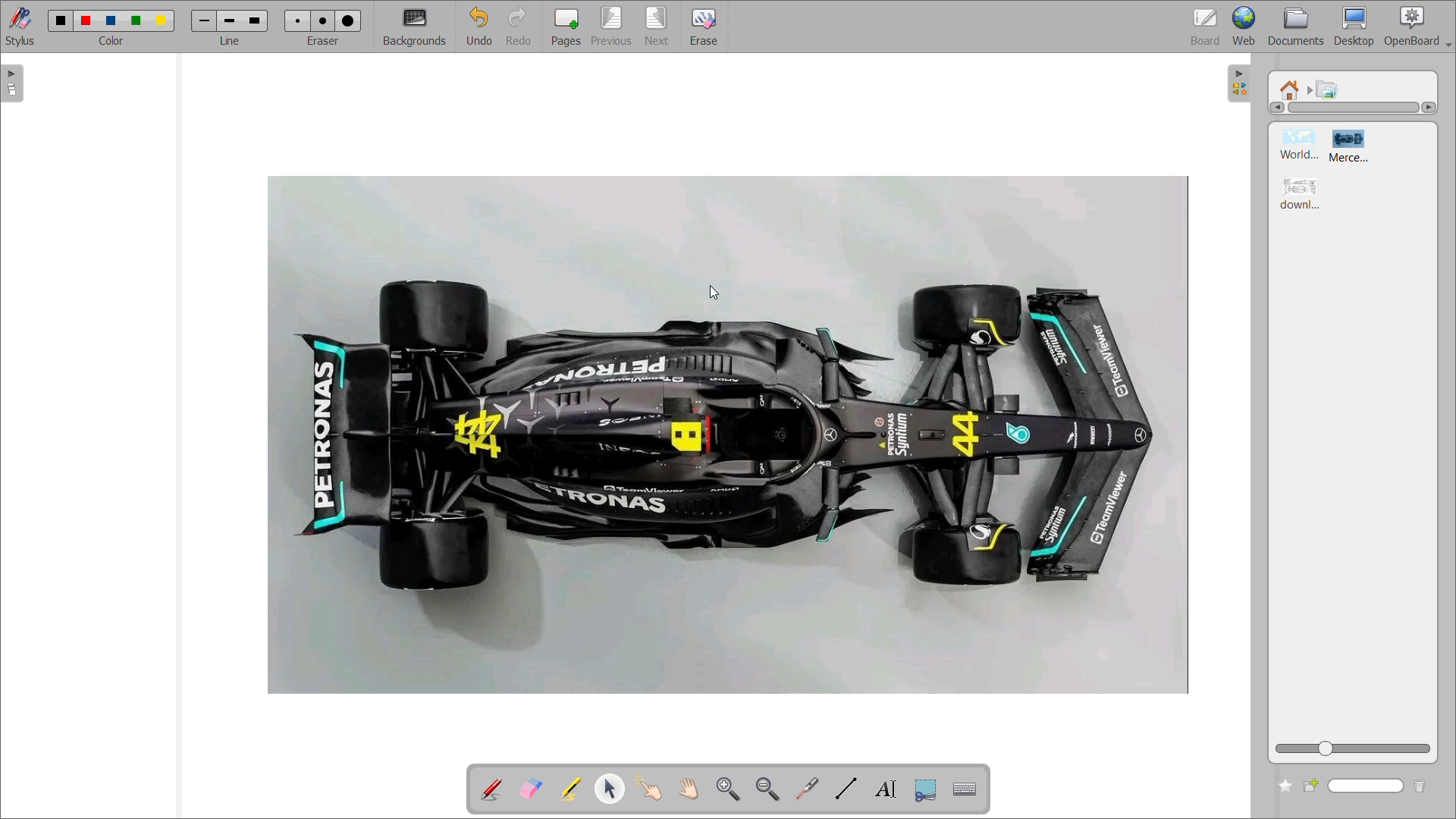 This screenshot has height=819, width=1456. I want to click on previous, so click(613, 27).